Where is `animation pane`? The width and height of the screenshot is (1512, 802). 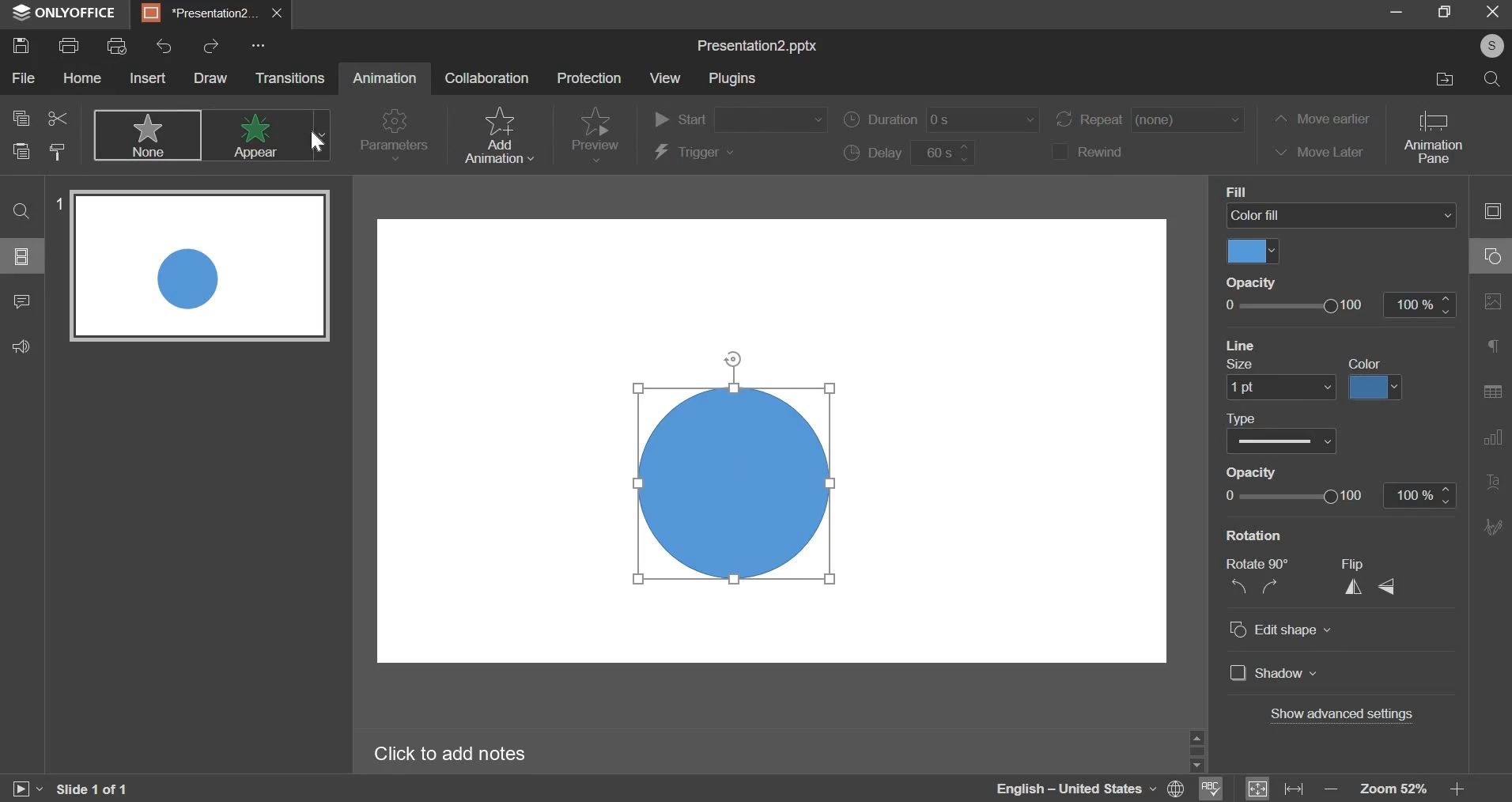 animation pane is located at coordinates (1435, 138).